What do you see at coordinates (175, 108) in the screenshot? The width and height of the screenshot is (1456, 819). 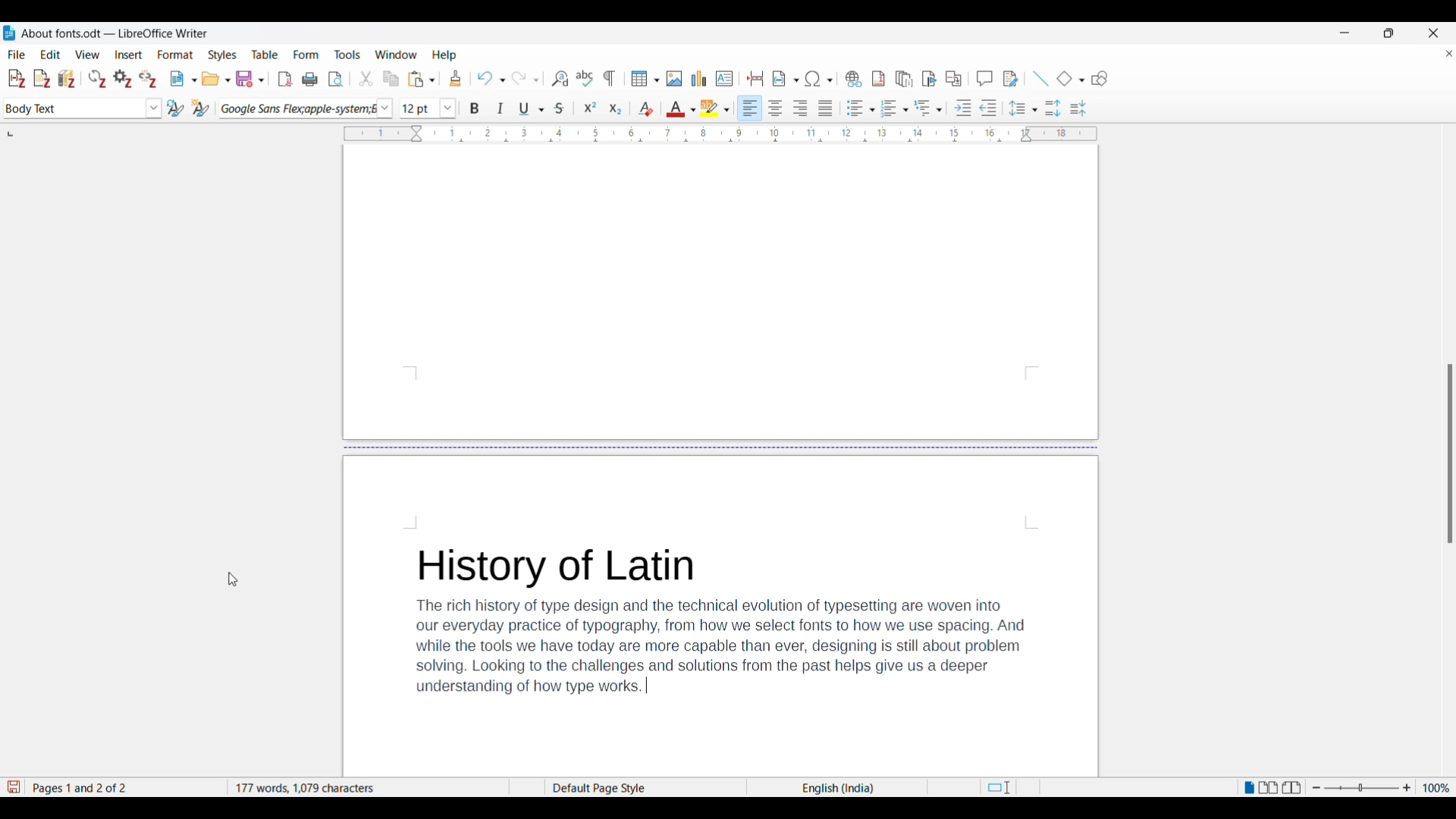 I see `Update selected style` at bounding box center [175, 108].